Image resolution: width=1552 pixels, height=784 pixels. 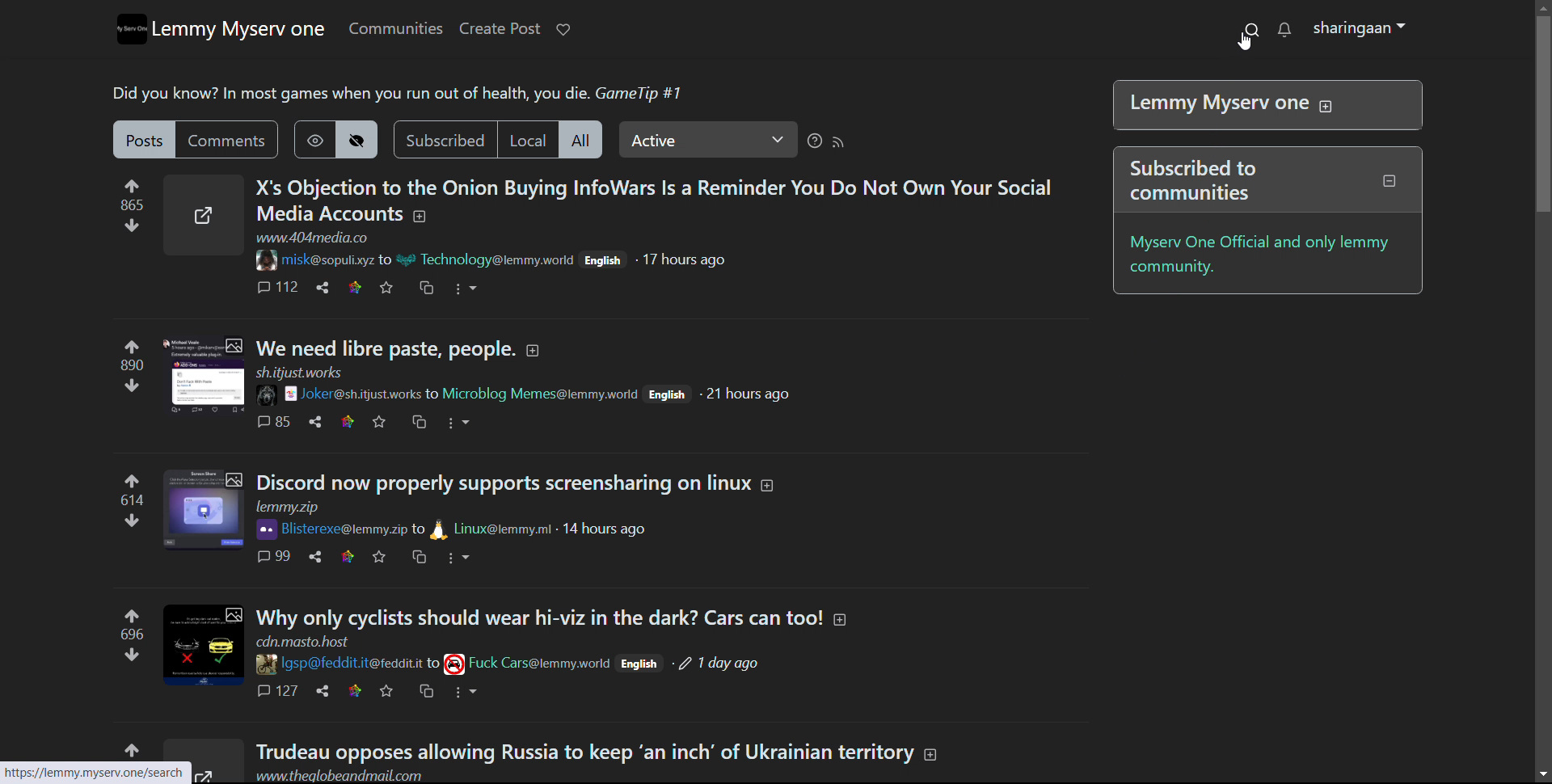 I want to click on 14 hours ago, so click(x=601, y=530).